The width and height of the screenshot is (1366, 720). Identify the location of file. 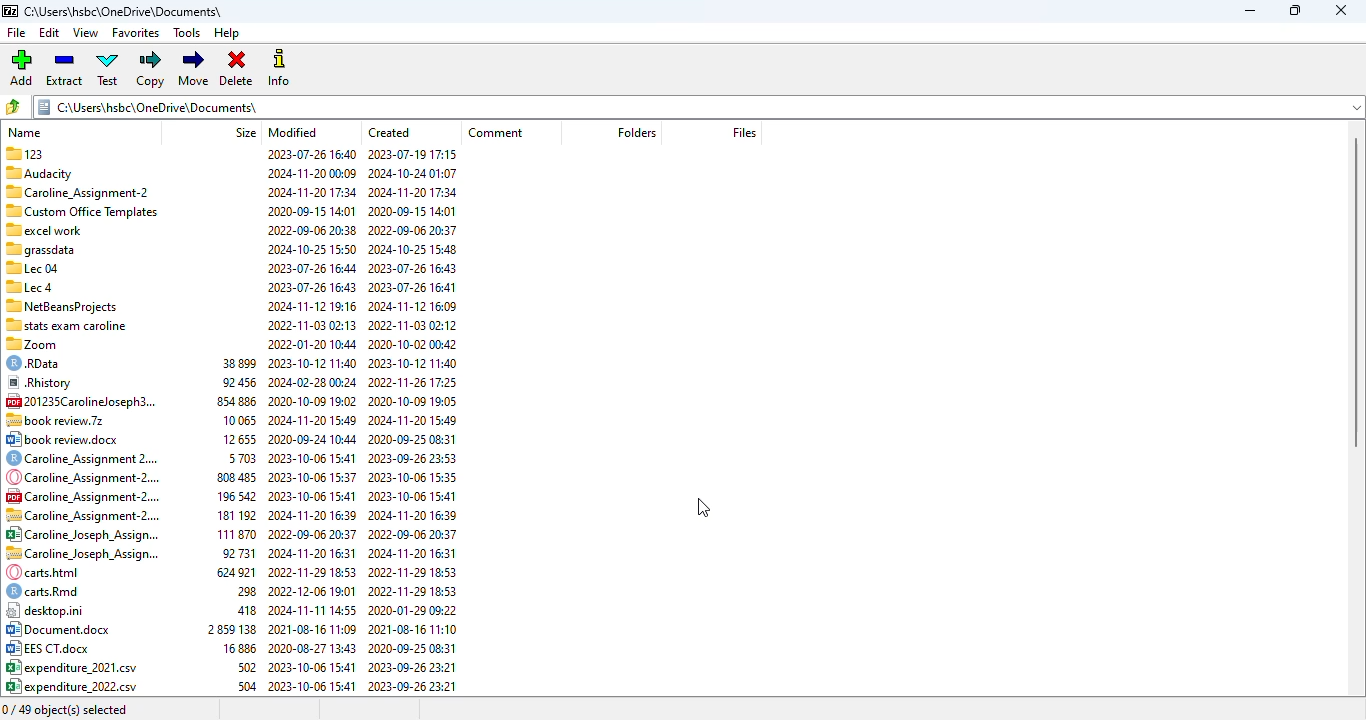
(17, 32).